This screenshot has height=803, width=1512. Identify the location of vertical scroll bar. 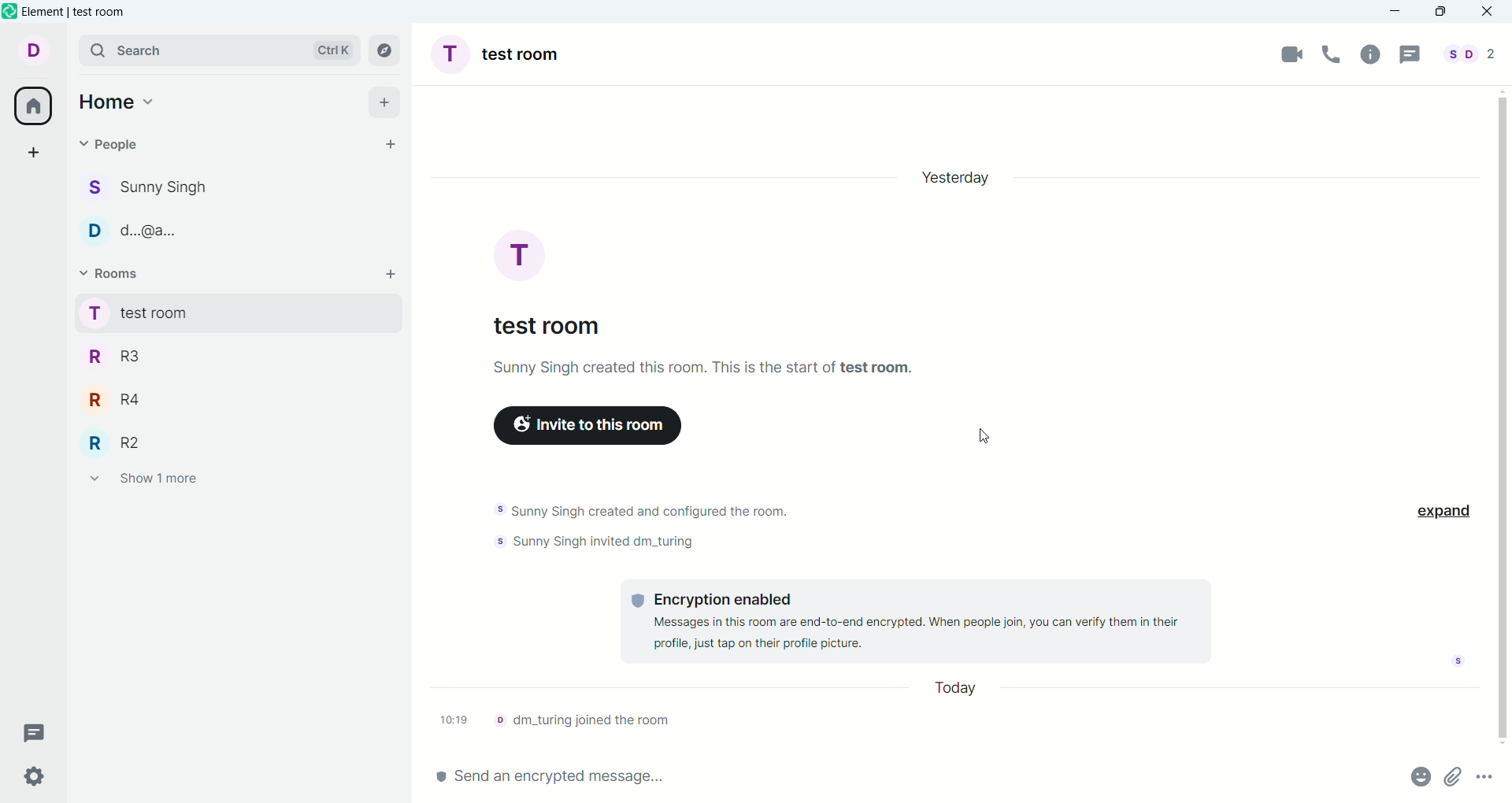
(1503, 417).